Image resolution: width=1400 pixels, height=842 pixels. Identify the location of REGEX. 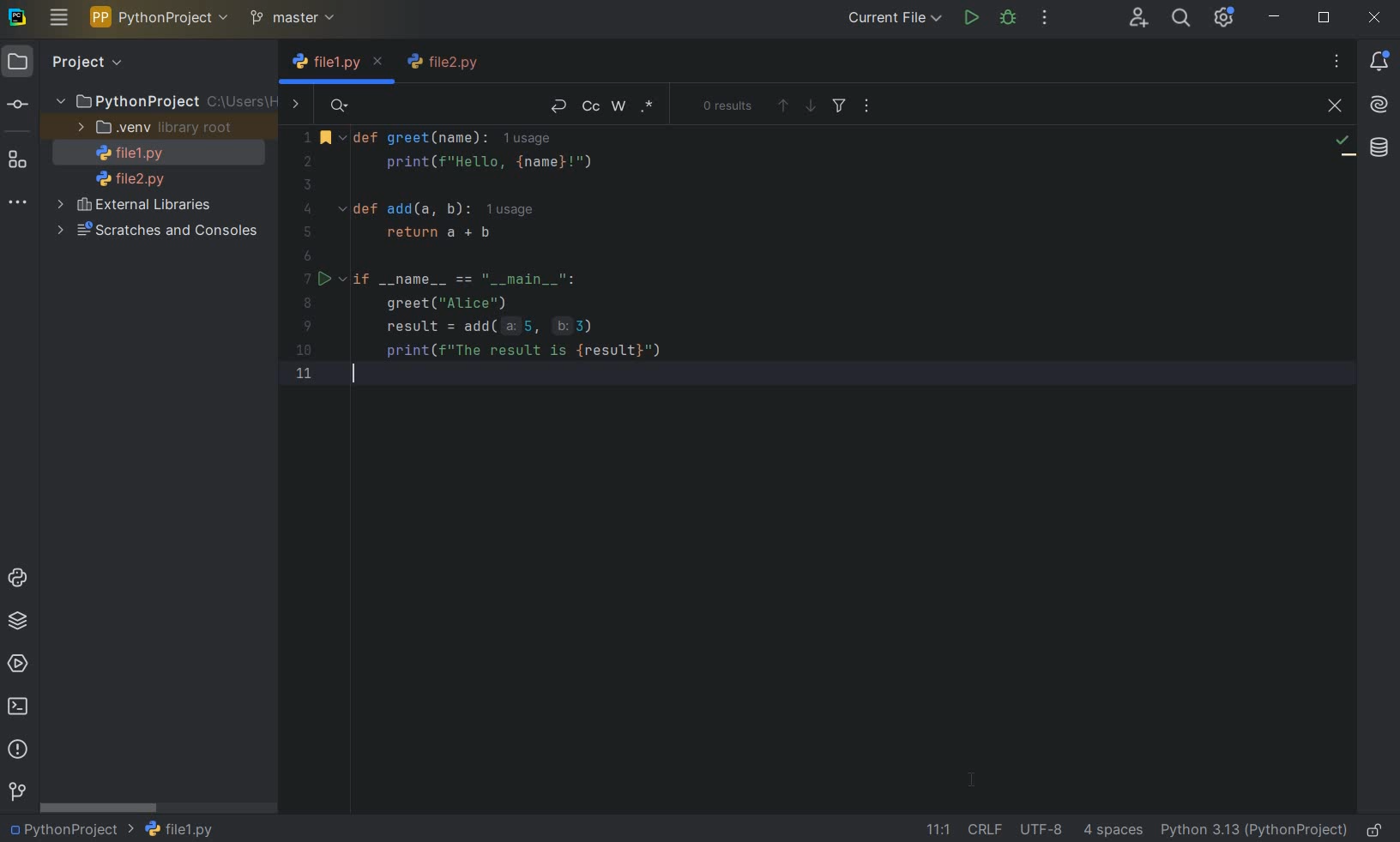
(649, 108).